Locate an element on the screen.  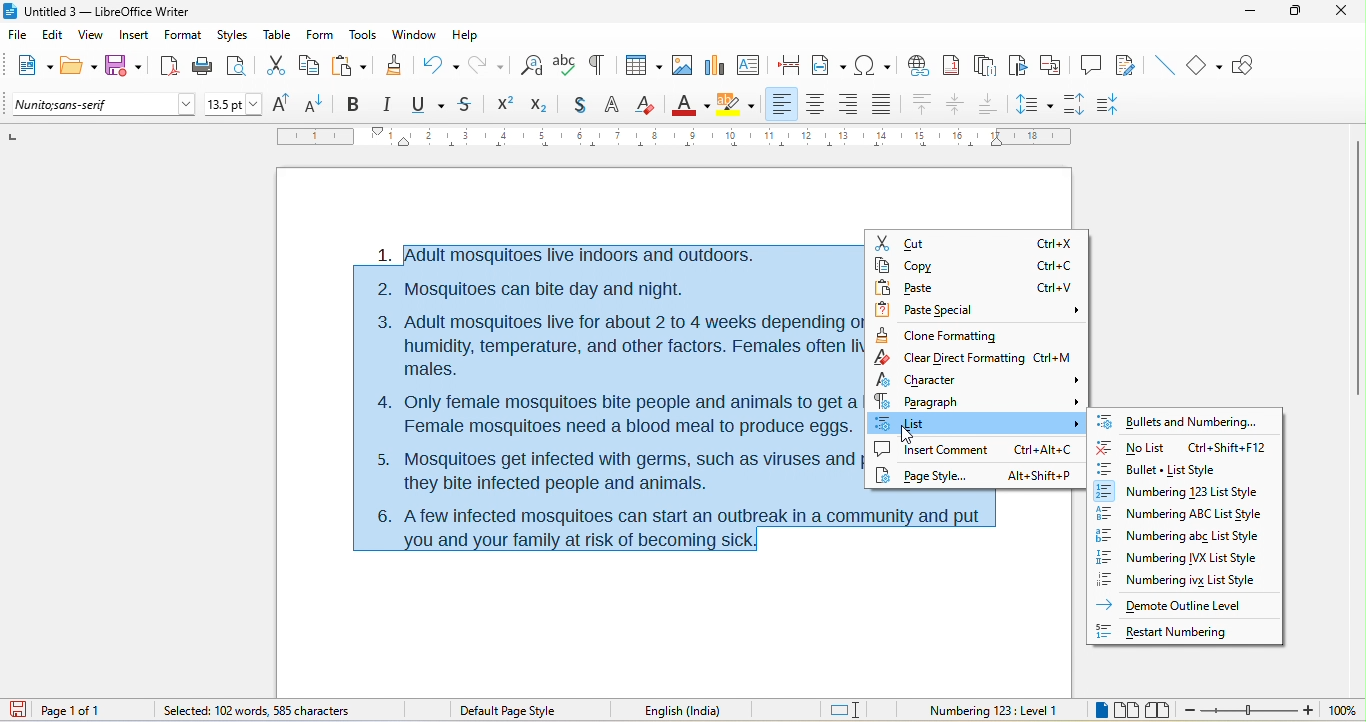
save is located at coordinates (124, 65).